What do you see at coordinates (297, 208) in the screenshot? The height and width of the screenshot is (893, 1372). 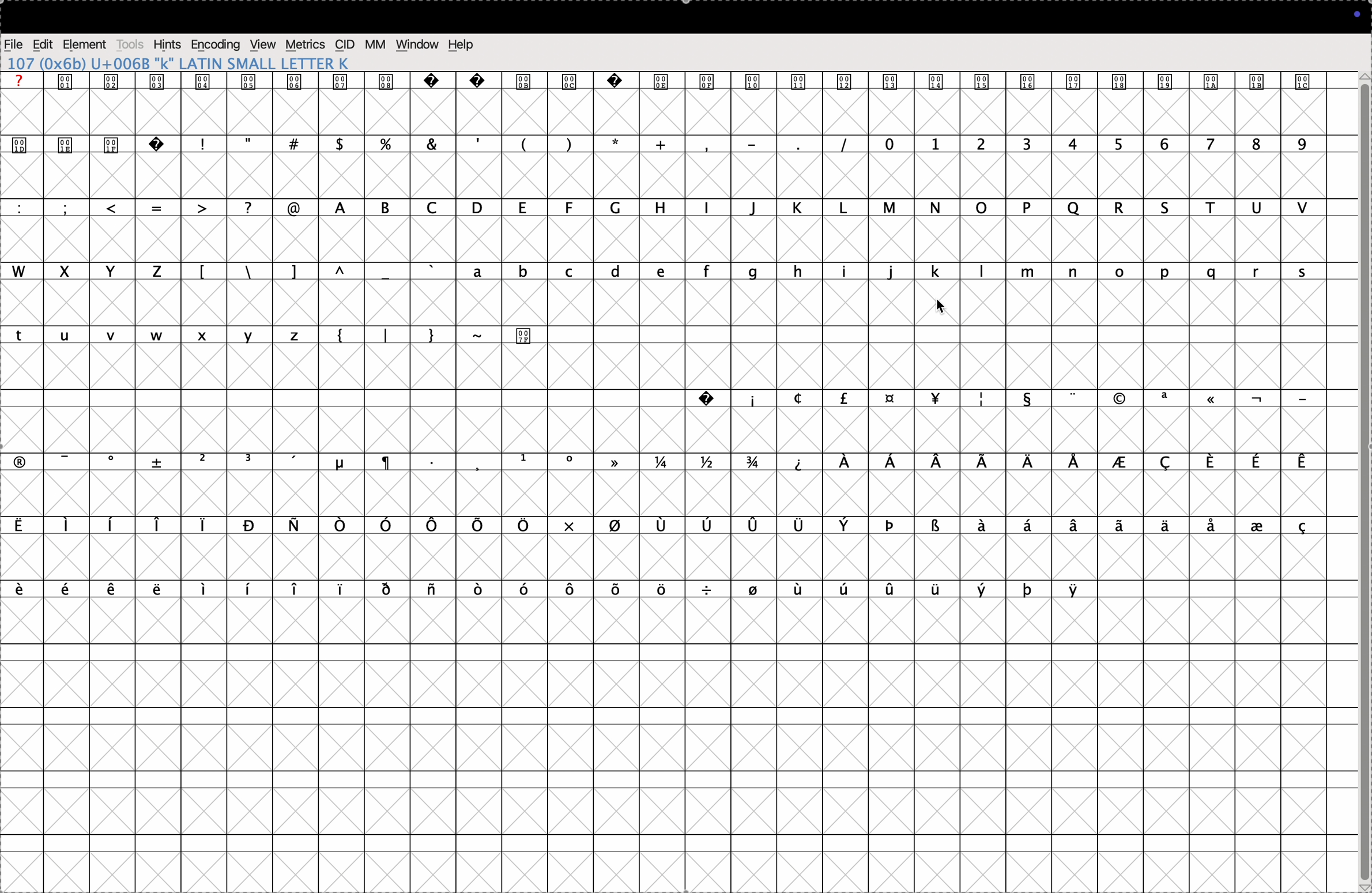 I see `@` at bounding box center [297, 208].